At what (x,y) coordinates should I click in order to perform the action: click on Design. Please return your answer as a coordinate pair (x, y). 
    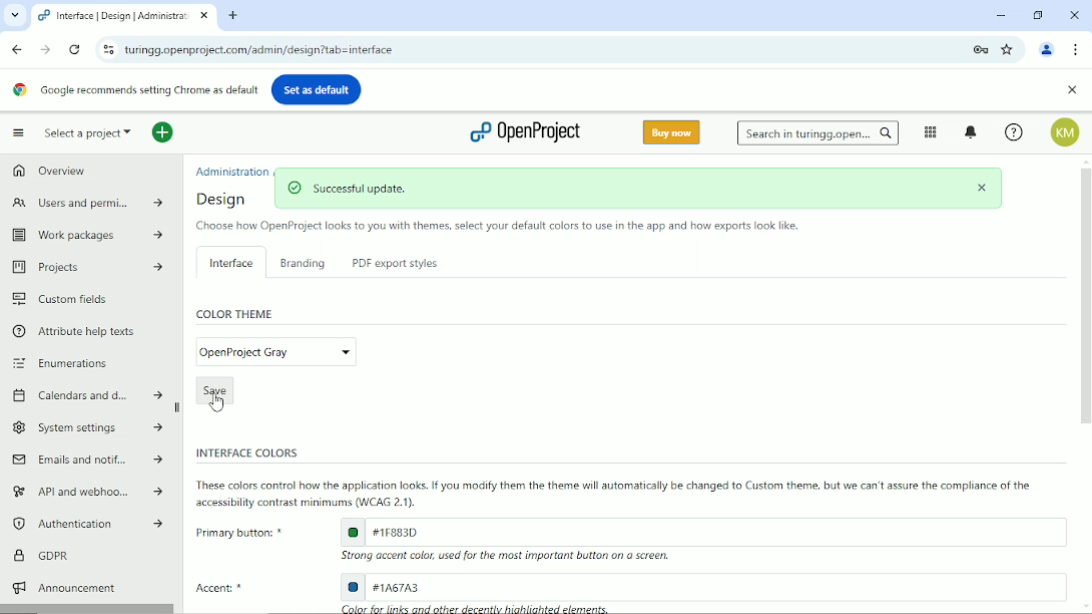
    Looking at the image, I should click on (226, 199).